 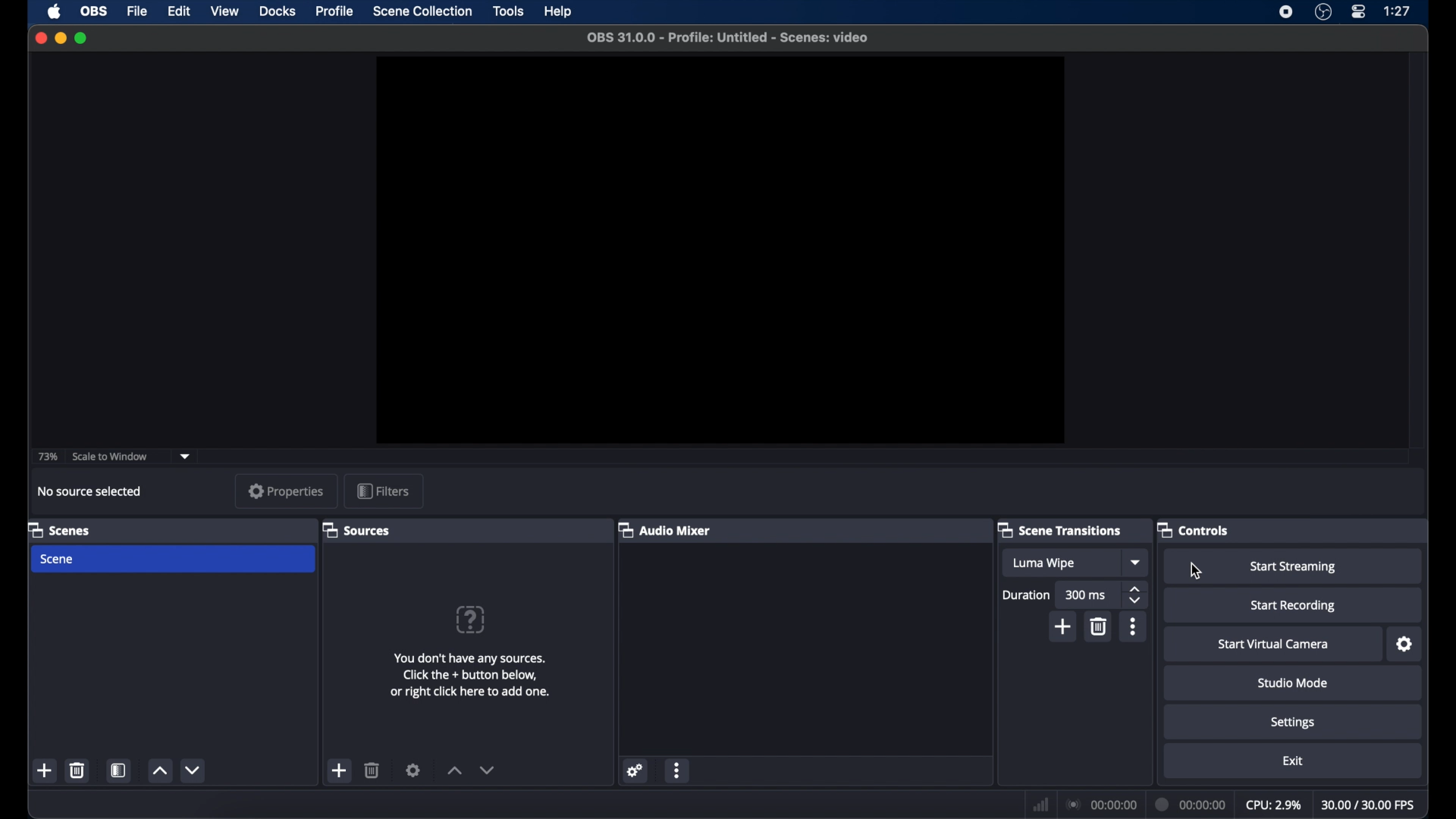 I want to click on minimize, so click(x=60, y=38).